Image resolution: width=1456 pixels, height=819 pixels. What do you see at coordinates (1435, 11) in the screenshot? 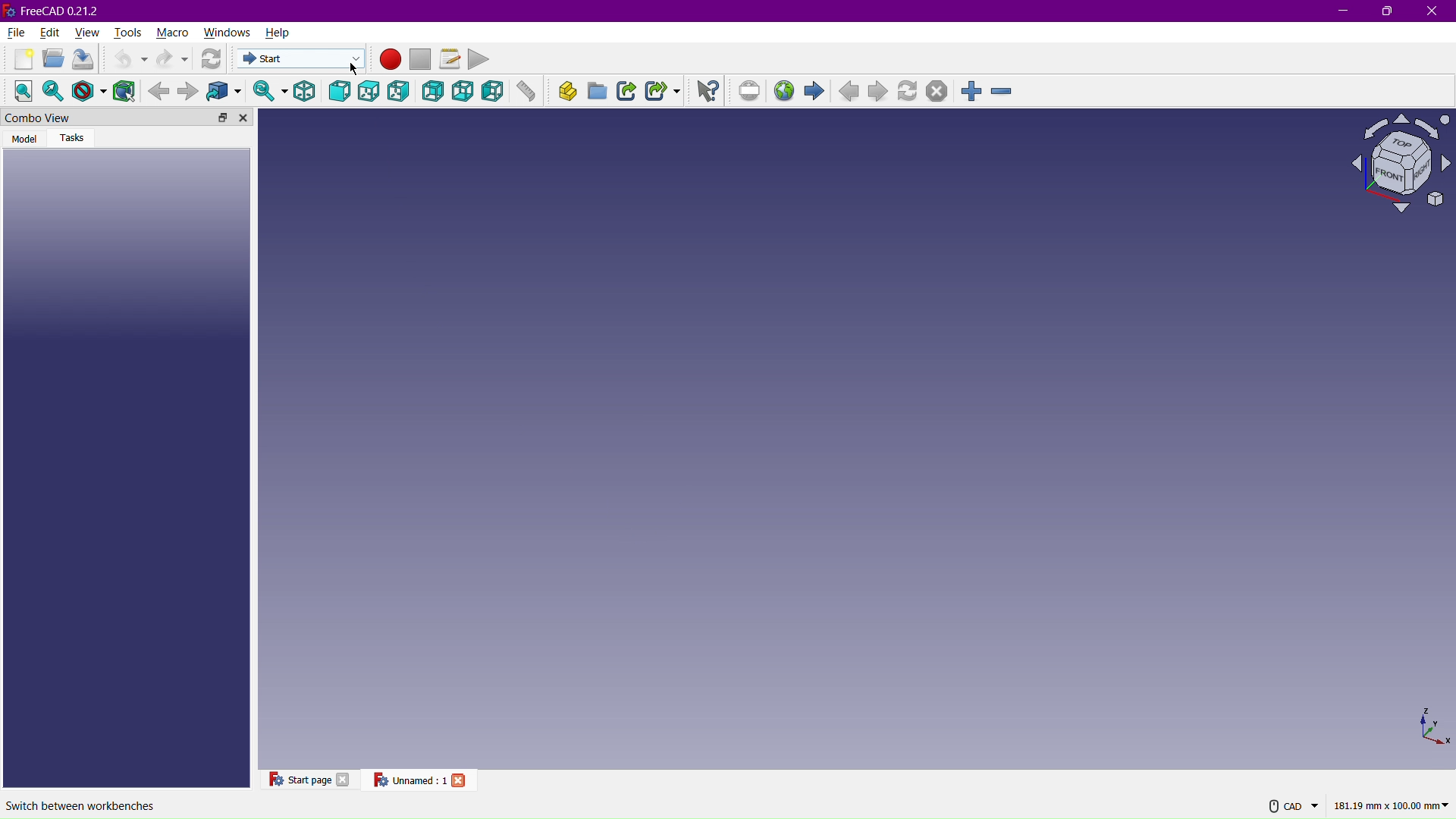
I see `Close` at bounding box center [1435, 11].